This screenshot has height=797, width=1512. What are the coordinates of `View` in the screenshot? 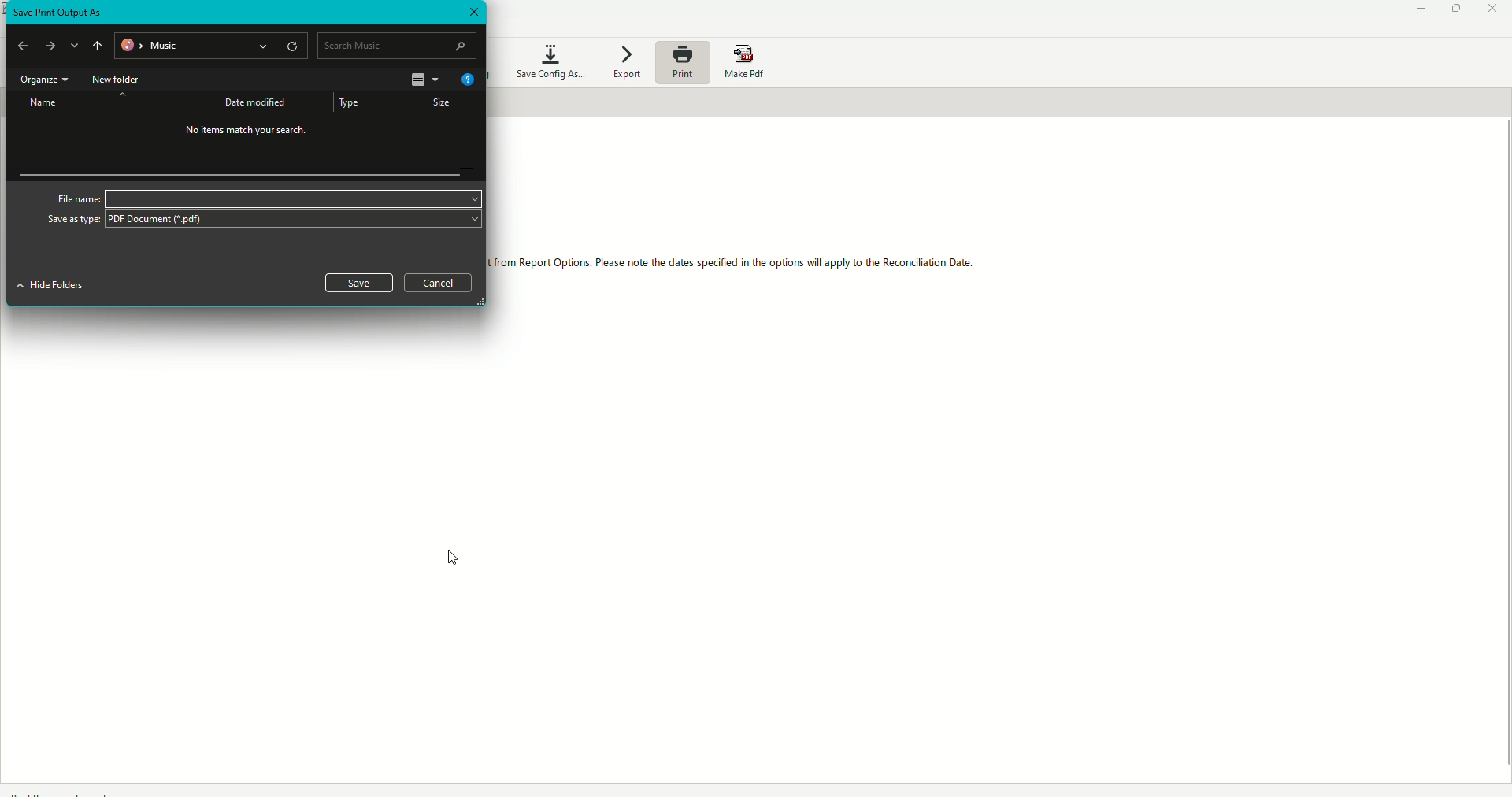 It's located at (422, 79).